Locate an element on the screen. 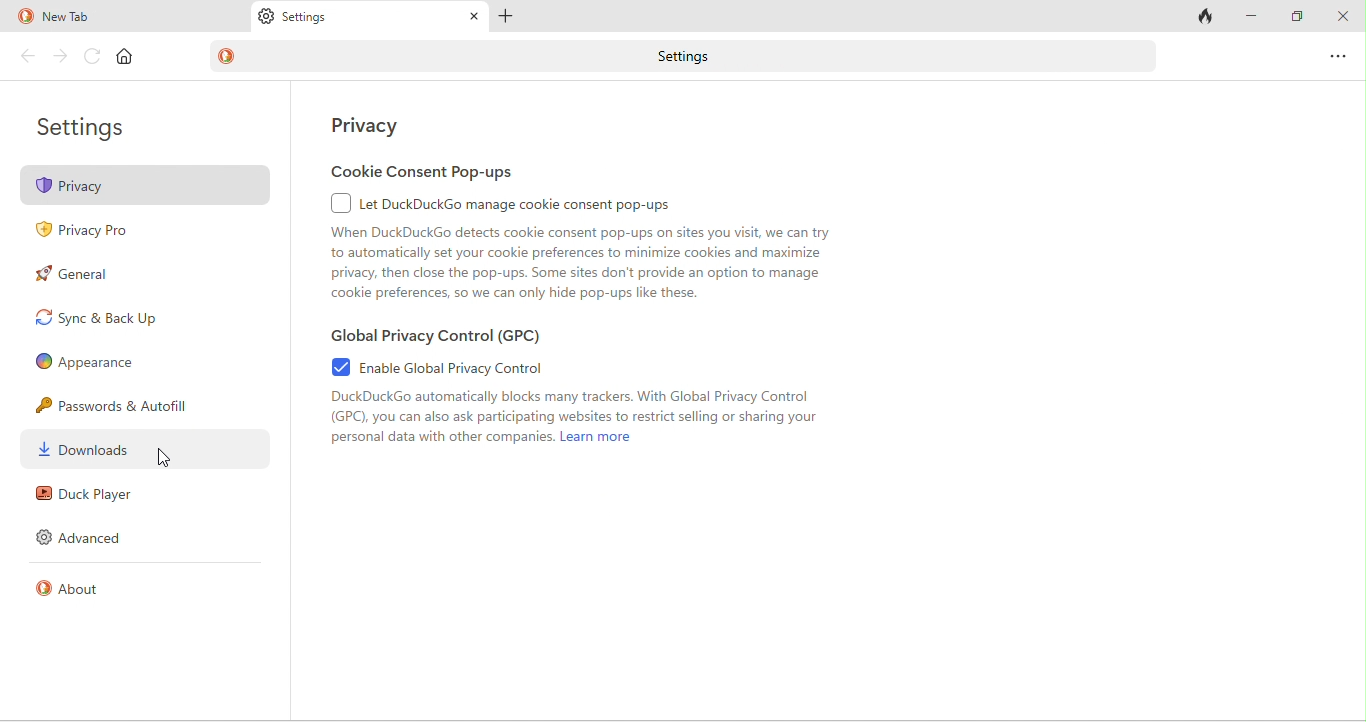 This screenshot has height=722, width=1366. new tab is located at coordinates (129, 22).